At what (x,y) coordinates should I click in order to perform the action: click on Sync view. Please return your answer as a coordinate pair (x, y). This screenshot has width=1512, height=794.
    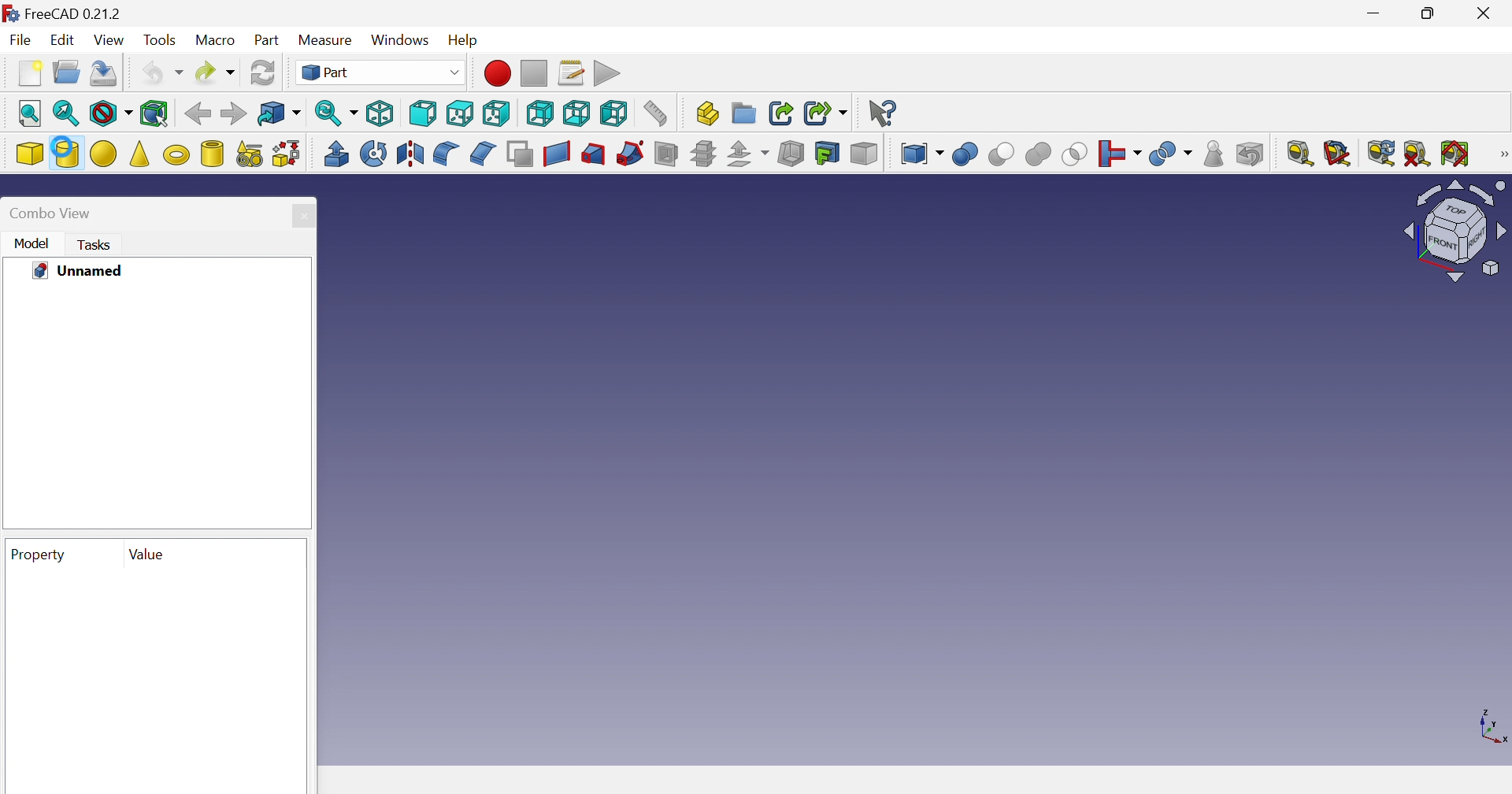
    Looking at the image, I should click on (335, 113).